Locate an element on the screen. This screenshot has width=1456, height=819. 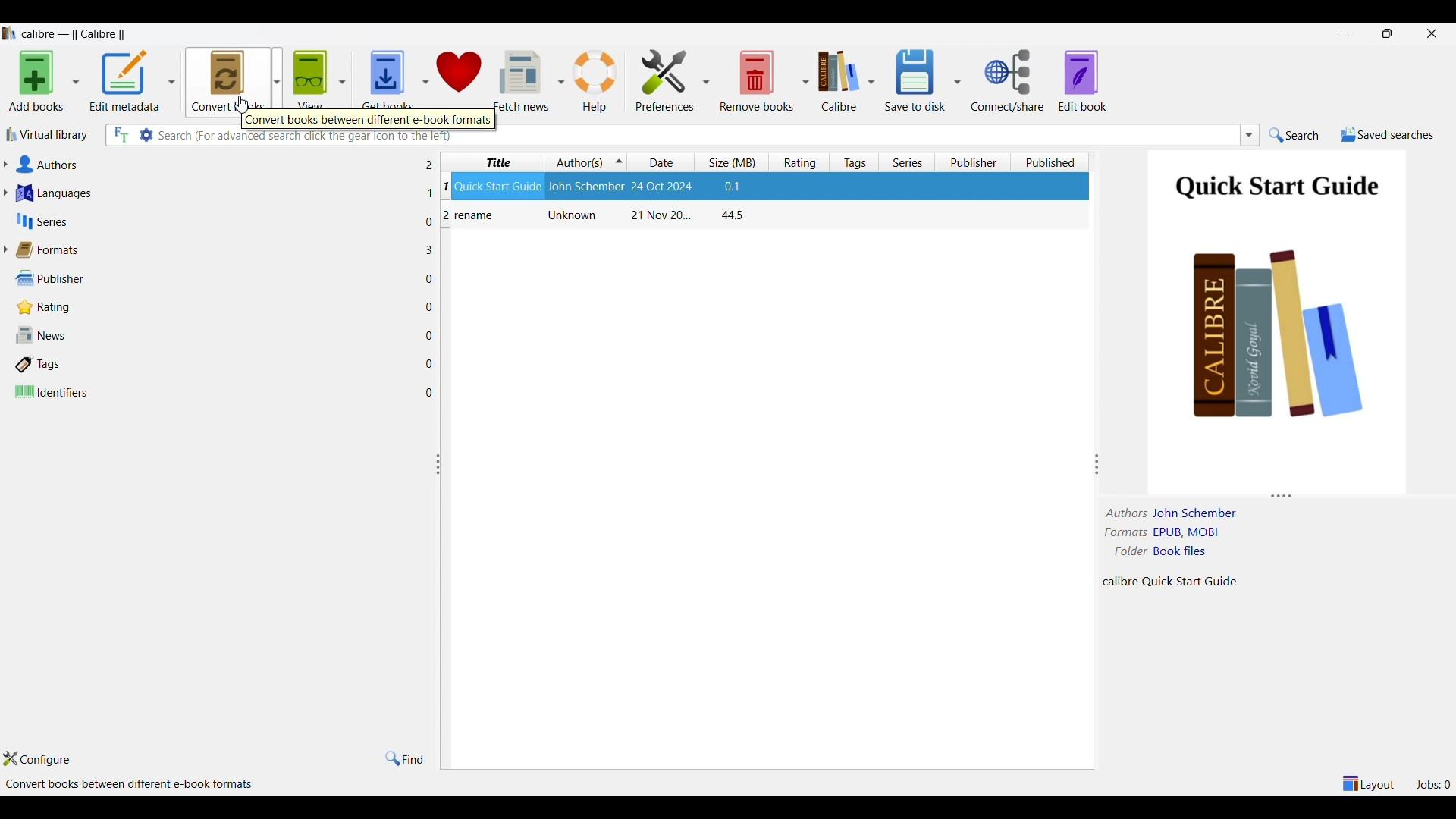
Edit book is located at coordinates (1082, 81).